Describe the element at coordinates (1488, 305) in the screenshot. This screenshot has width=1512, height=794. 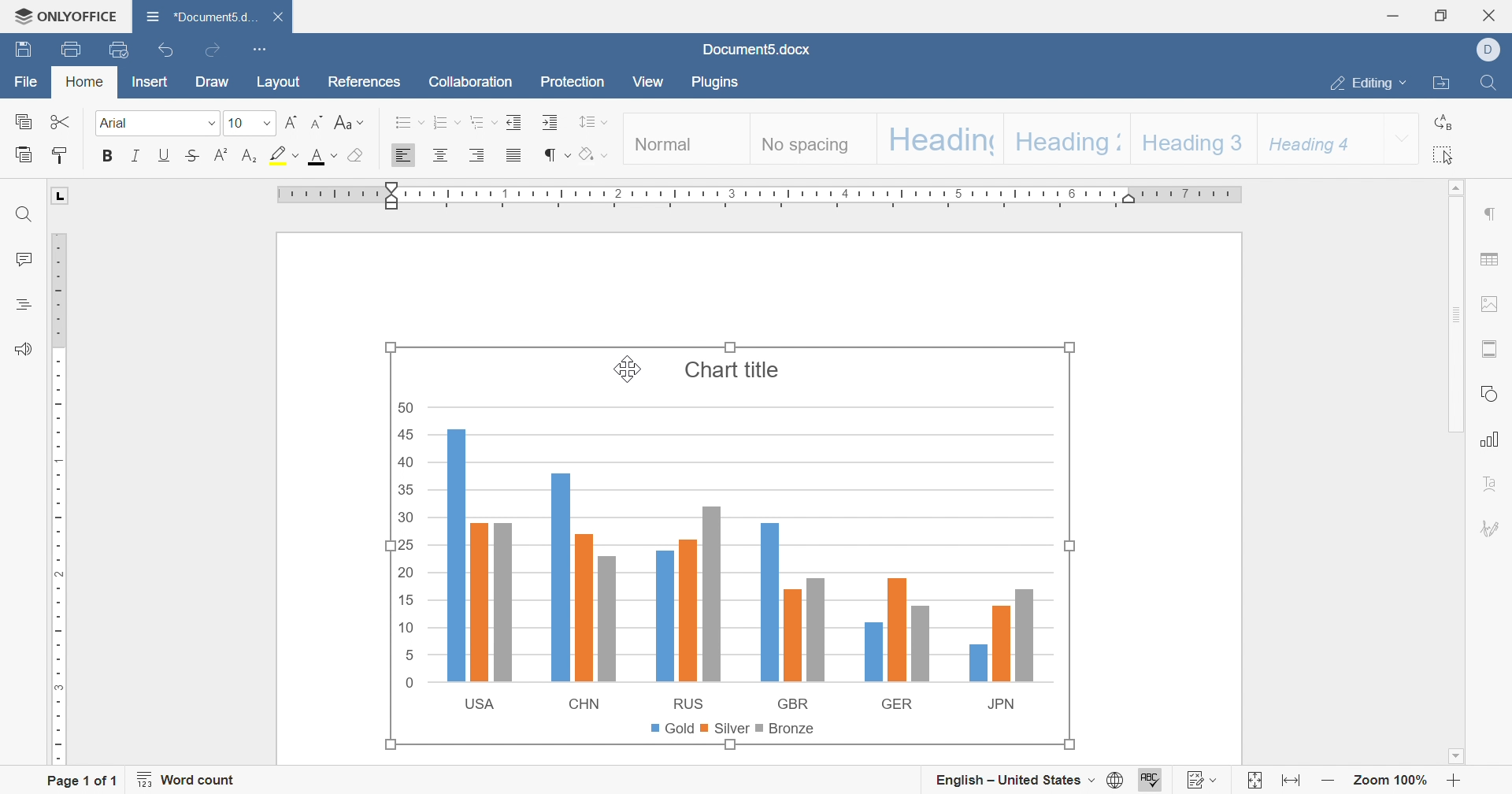
I see `image settings` at that location.